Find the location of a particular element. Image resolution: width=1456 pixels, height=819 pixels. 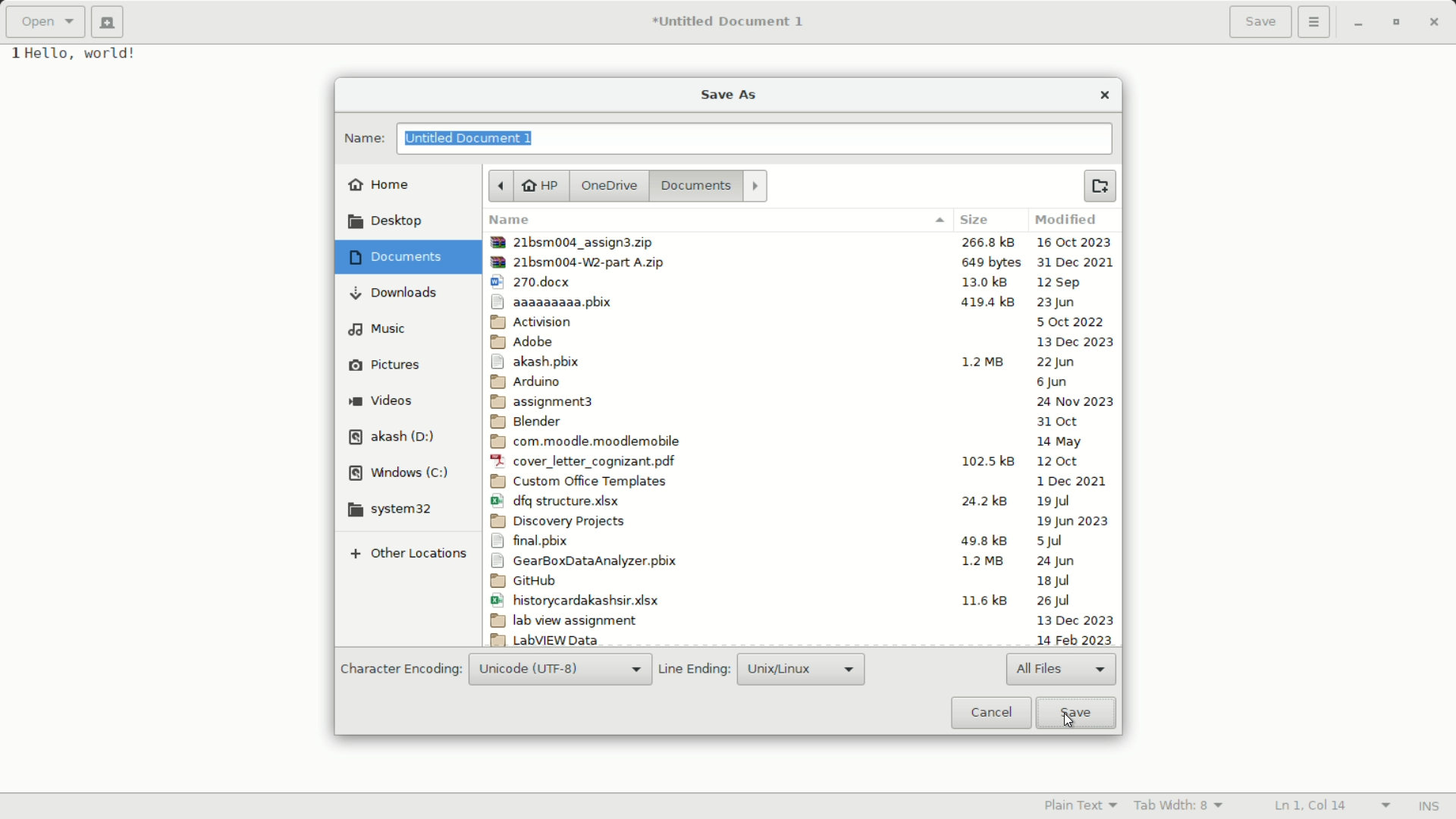

home is located at coordinates (380, 184).